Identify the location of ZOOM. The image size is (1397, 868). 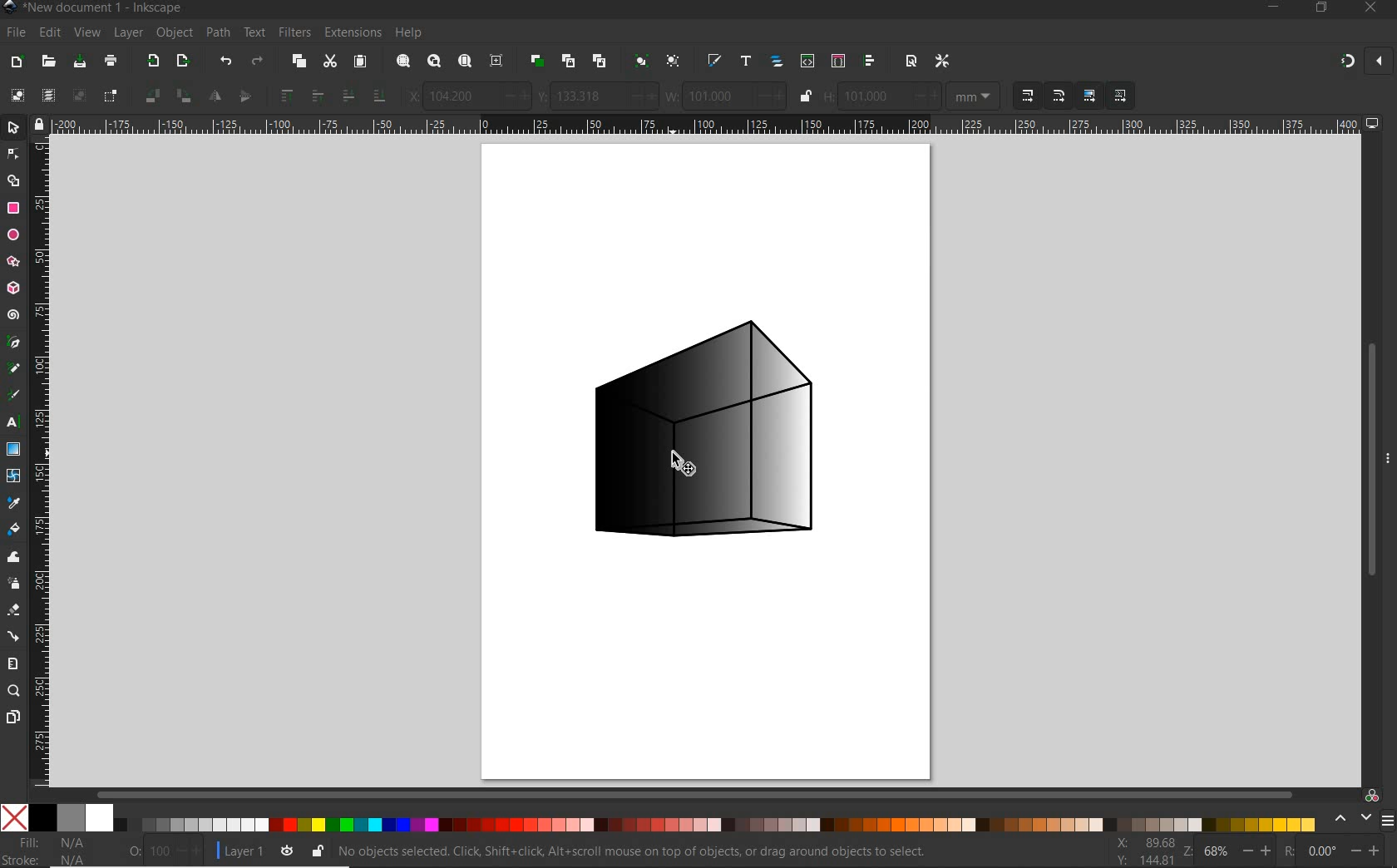
(1189, 853).